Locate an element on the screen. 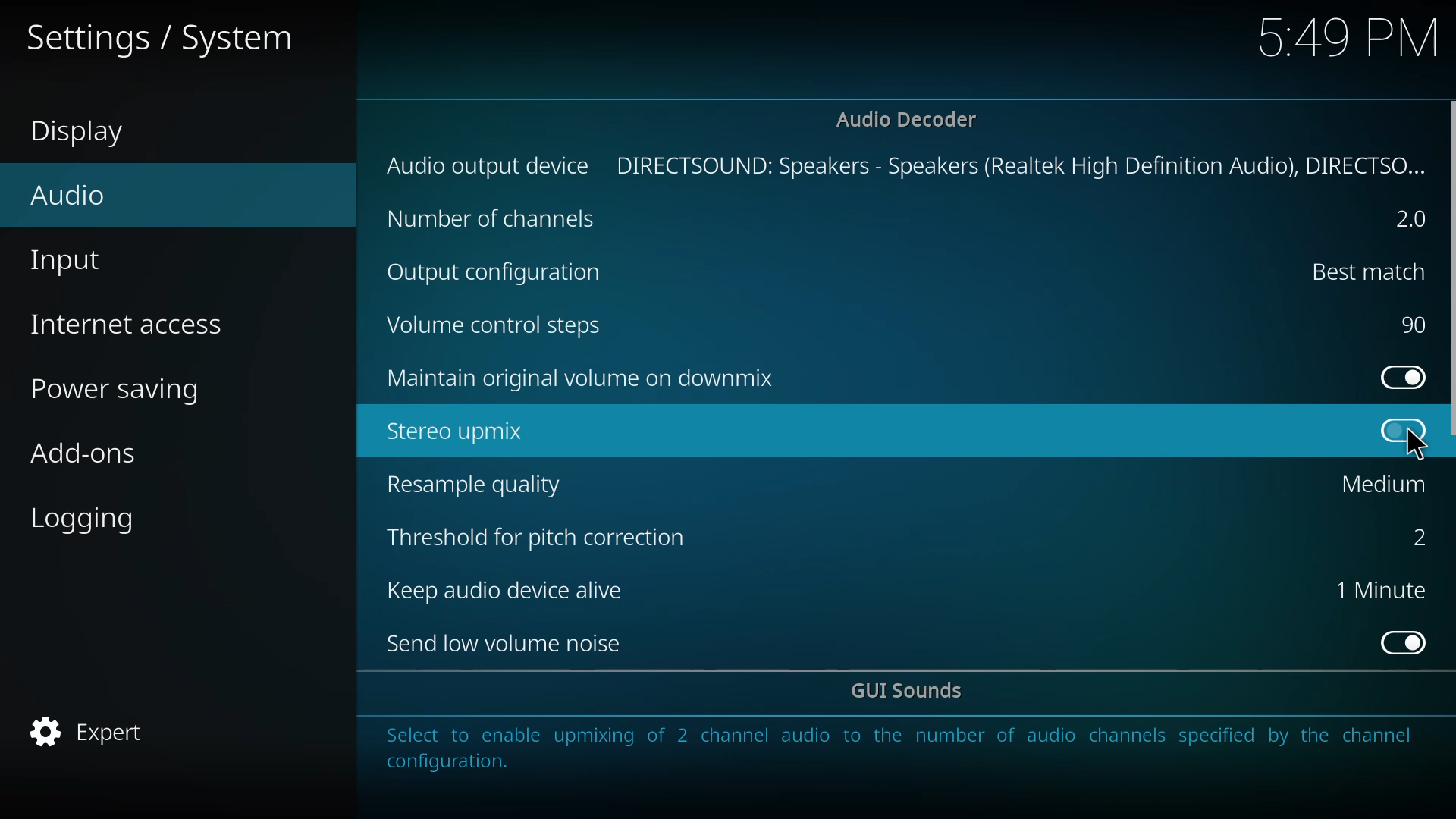 The height and width of the screenshot is (819, 1456). input is located at coordinates (79, 261).